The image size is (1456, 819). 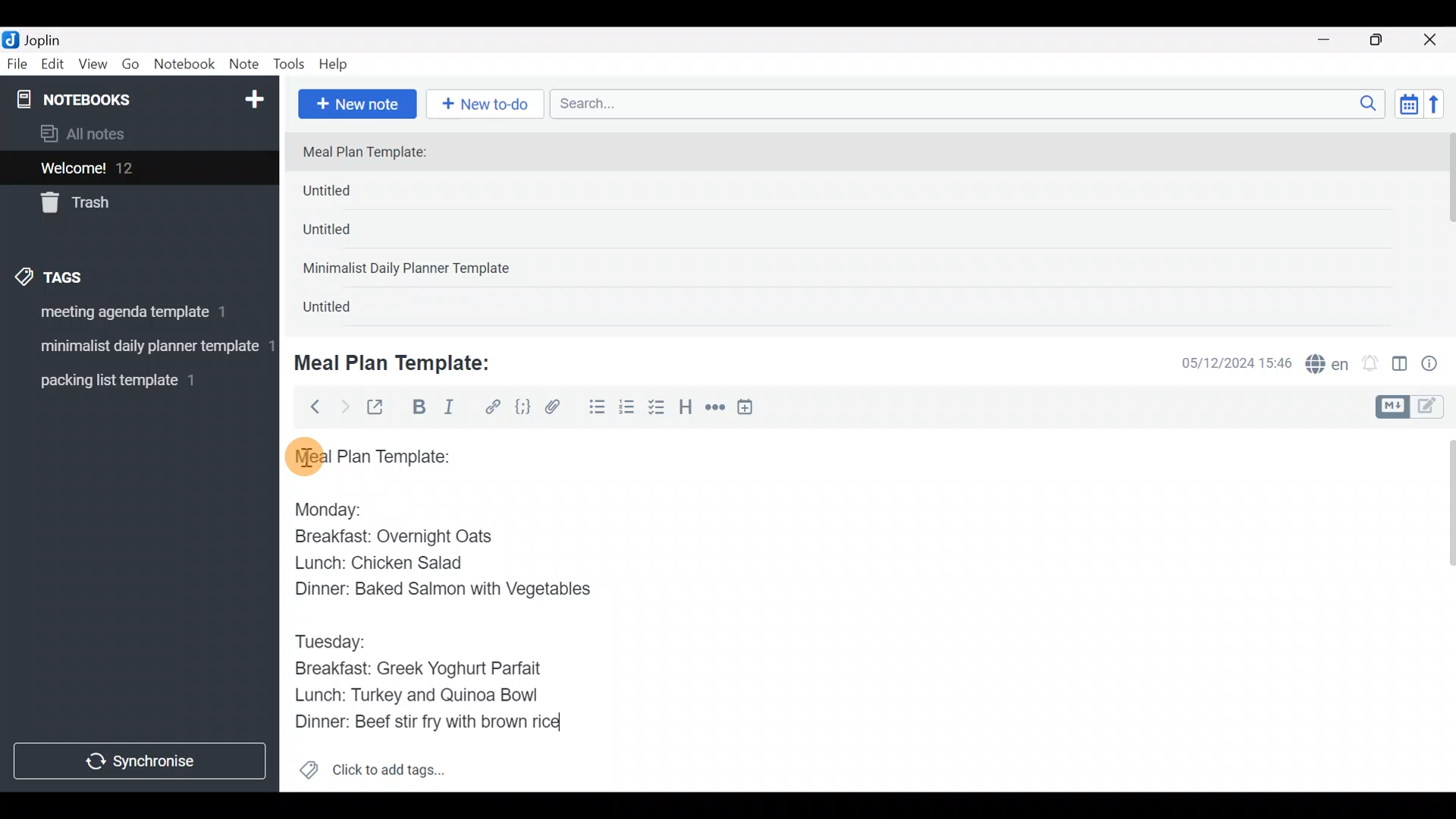 What do you see at coordinates (715, 409) in the screenshot?
I see `Horizontal rule` at bounding box center [715, 409].